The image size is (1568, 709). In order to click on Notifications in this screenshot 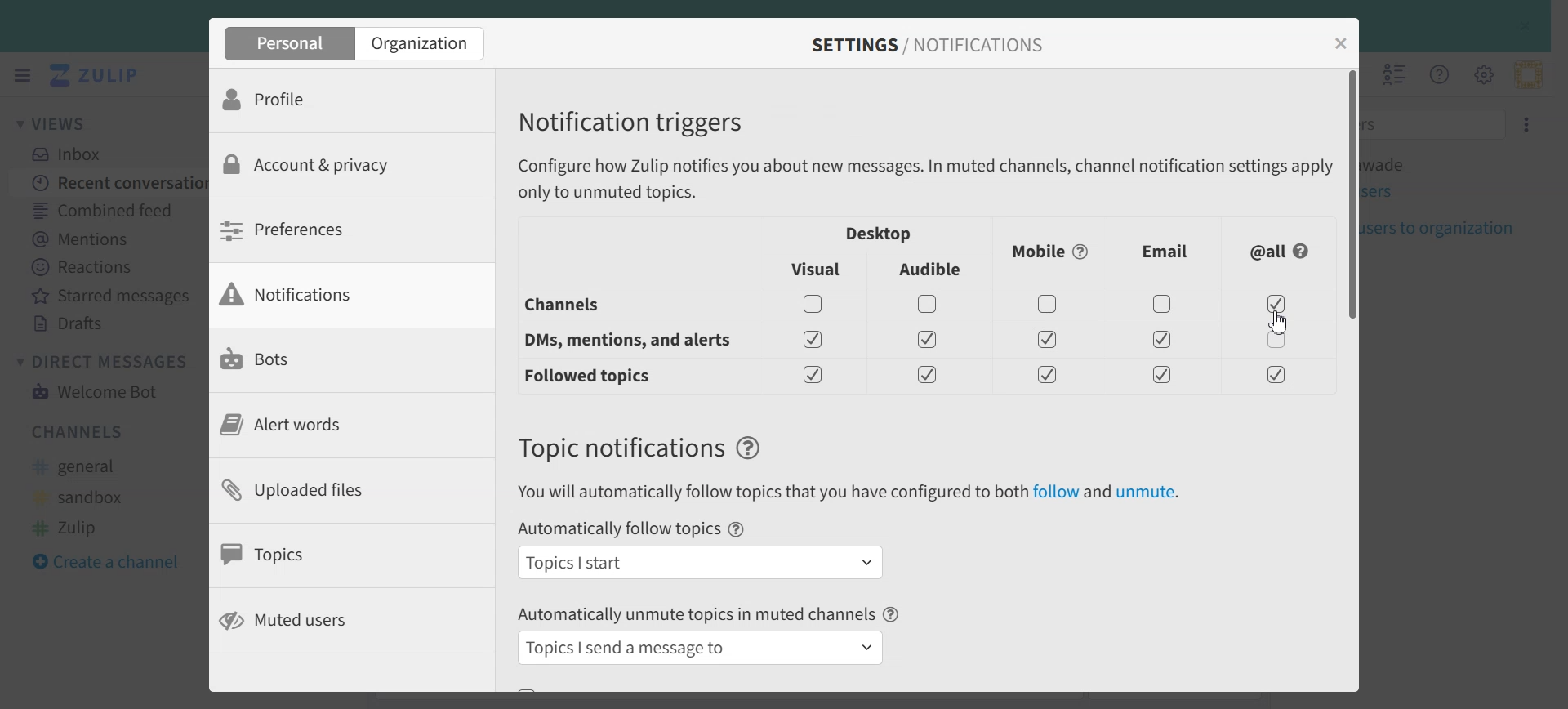, I will do `click(330, 295)`.